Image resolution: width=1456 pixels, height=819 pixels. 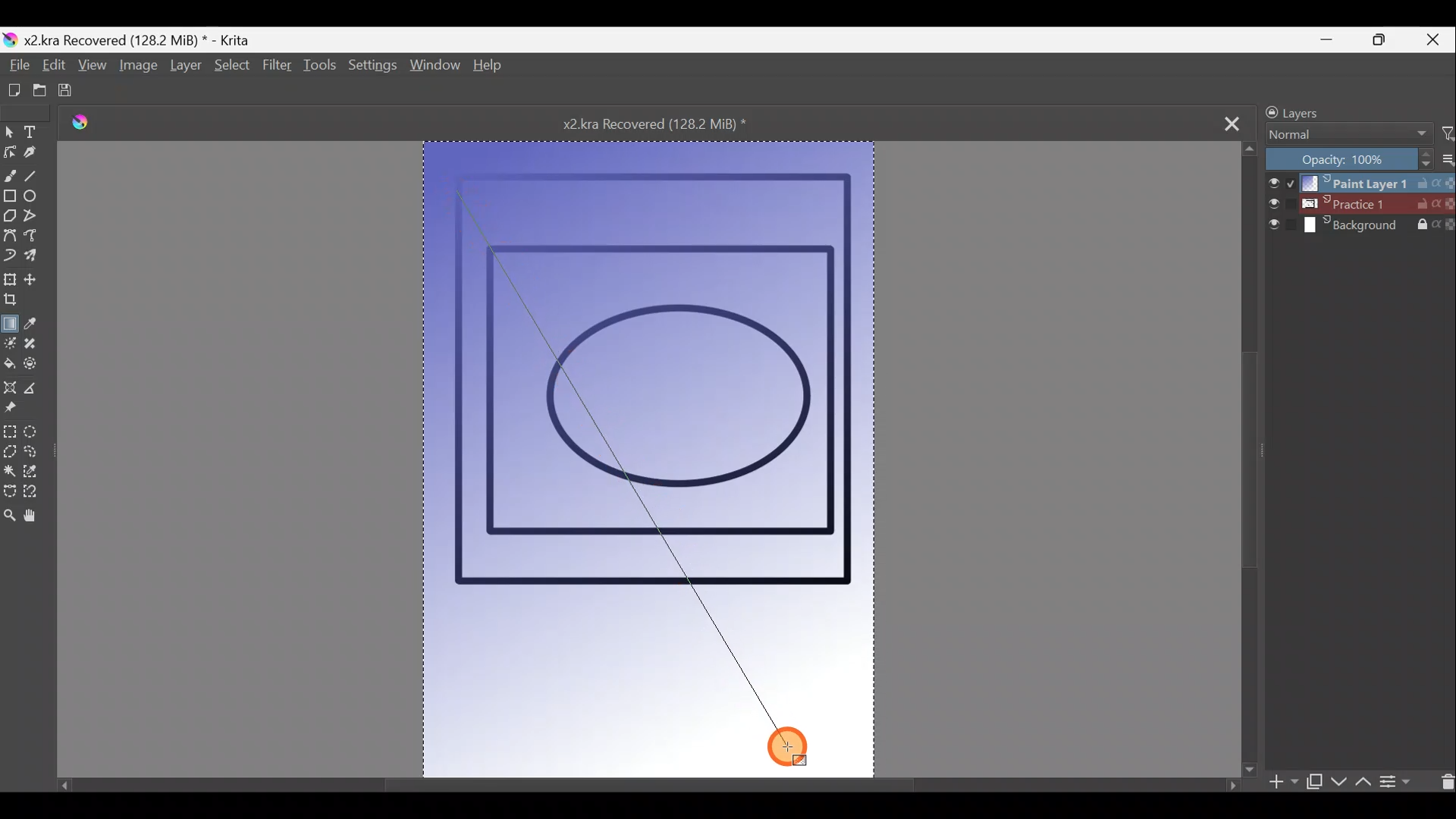 What do you see at coordinates (10, 472) in the screenshot?
I see `Contiguous selection tool` at bounding box center [10, 472].